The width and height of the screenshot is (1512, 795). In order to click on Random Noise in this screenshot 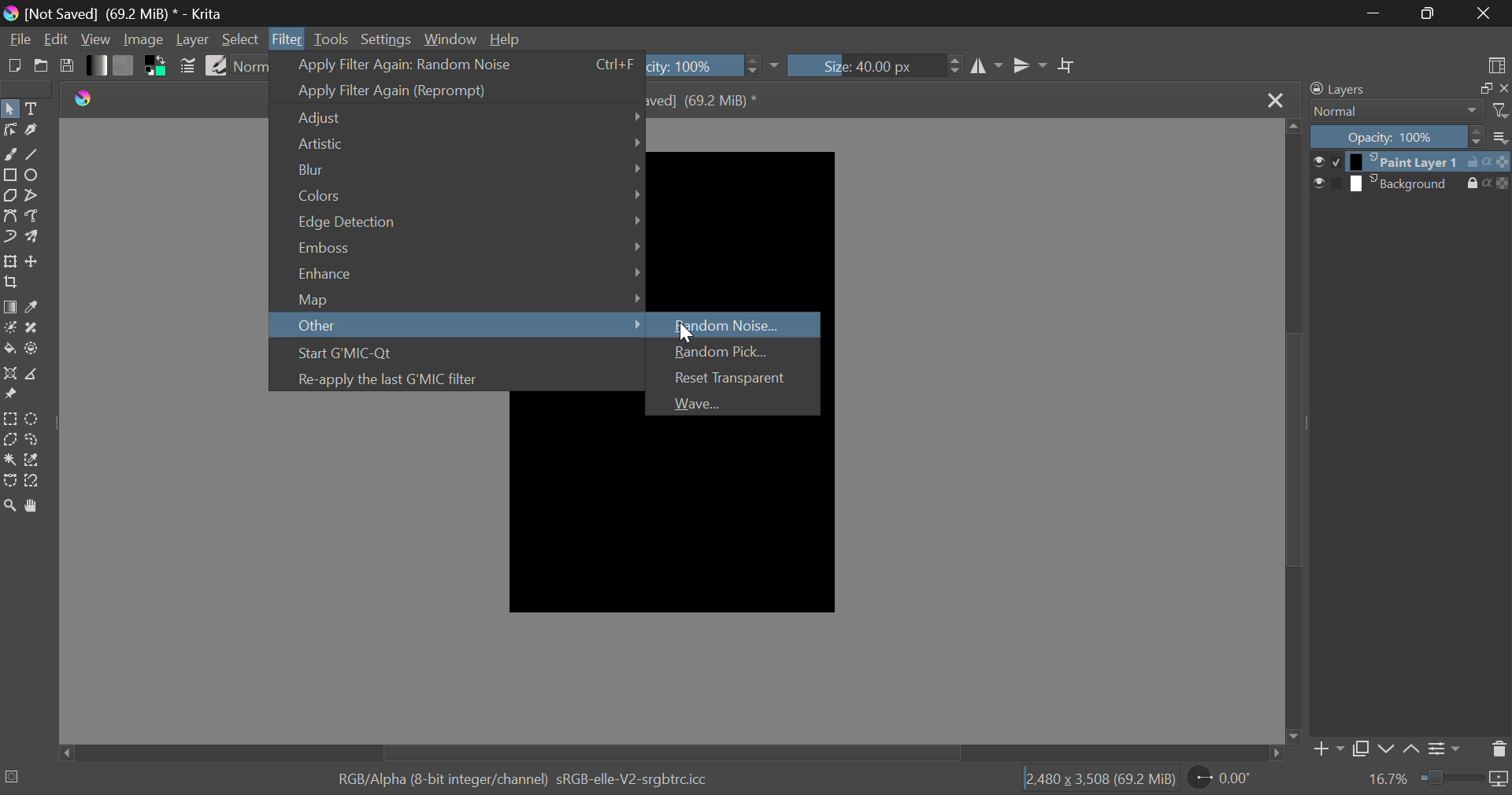, I will do `click(737, 320)`.